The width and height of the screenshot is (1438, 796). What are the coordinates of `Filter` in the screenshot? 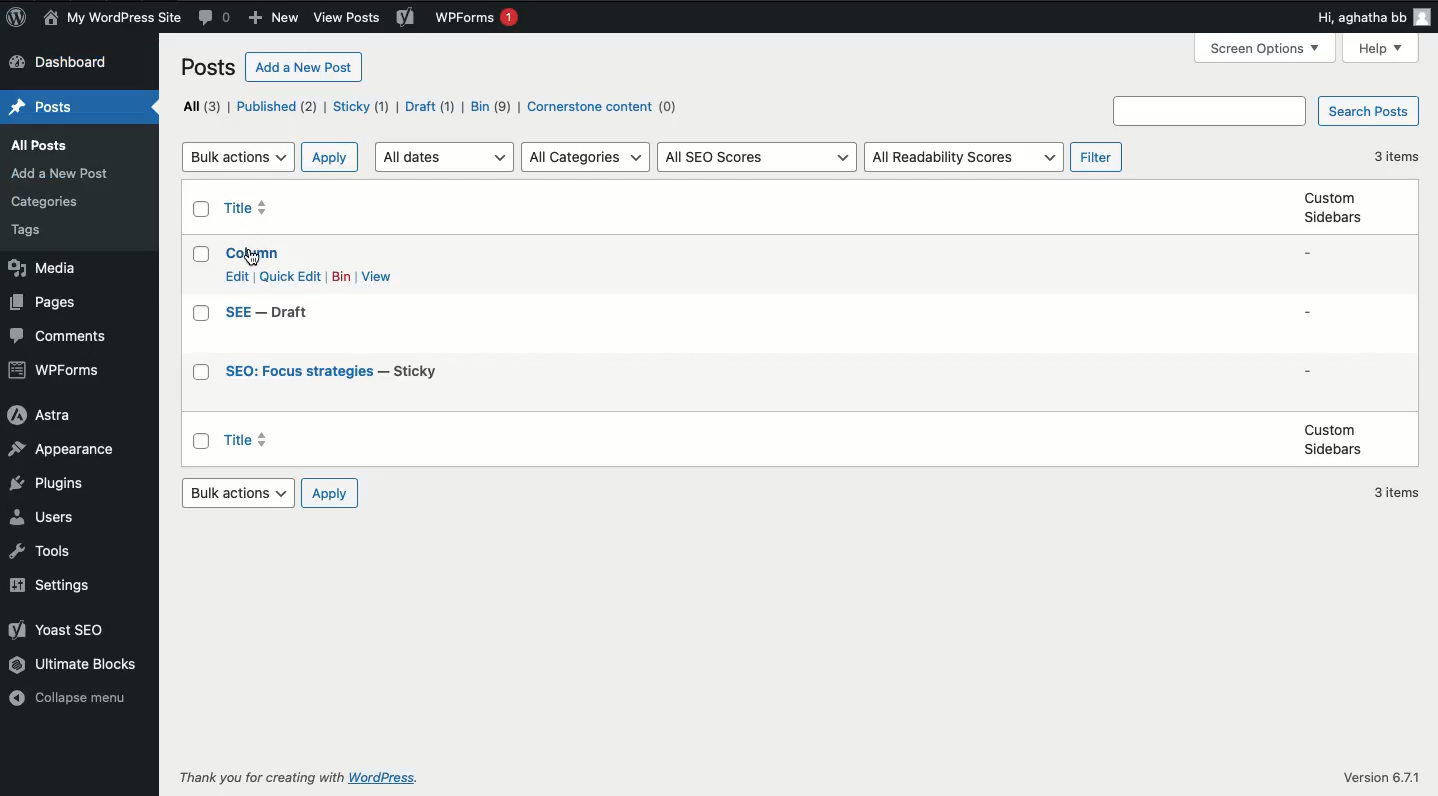 It's located at (1098, 158).